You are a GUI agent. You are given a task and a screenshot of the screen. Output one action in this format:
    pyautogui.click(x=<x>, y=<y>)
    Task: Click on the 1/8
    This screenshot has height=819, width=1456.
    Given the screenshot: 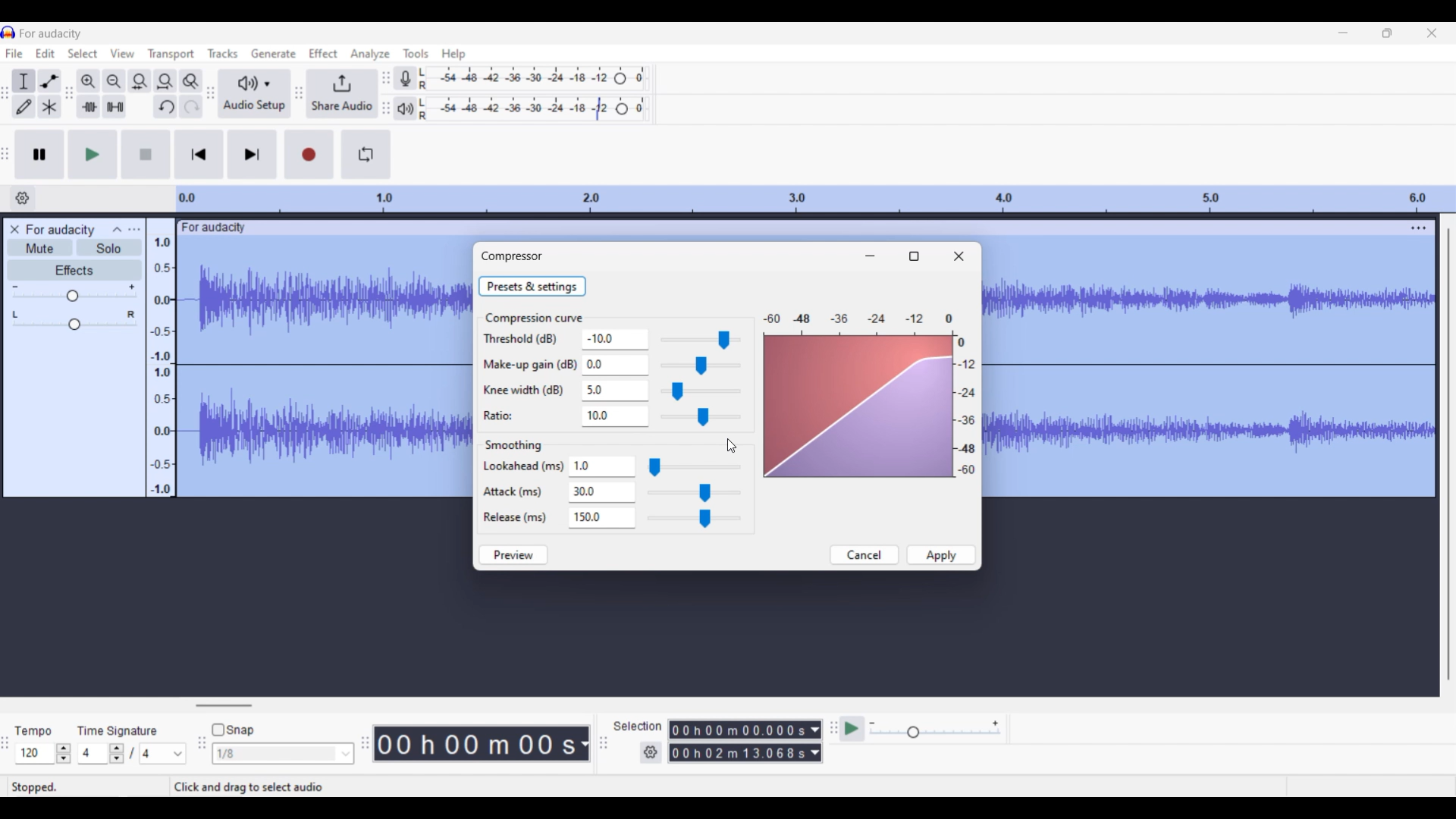 What is the action you would take?
    pyautogui.click(x=284, y=753)
    